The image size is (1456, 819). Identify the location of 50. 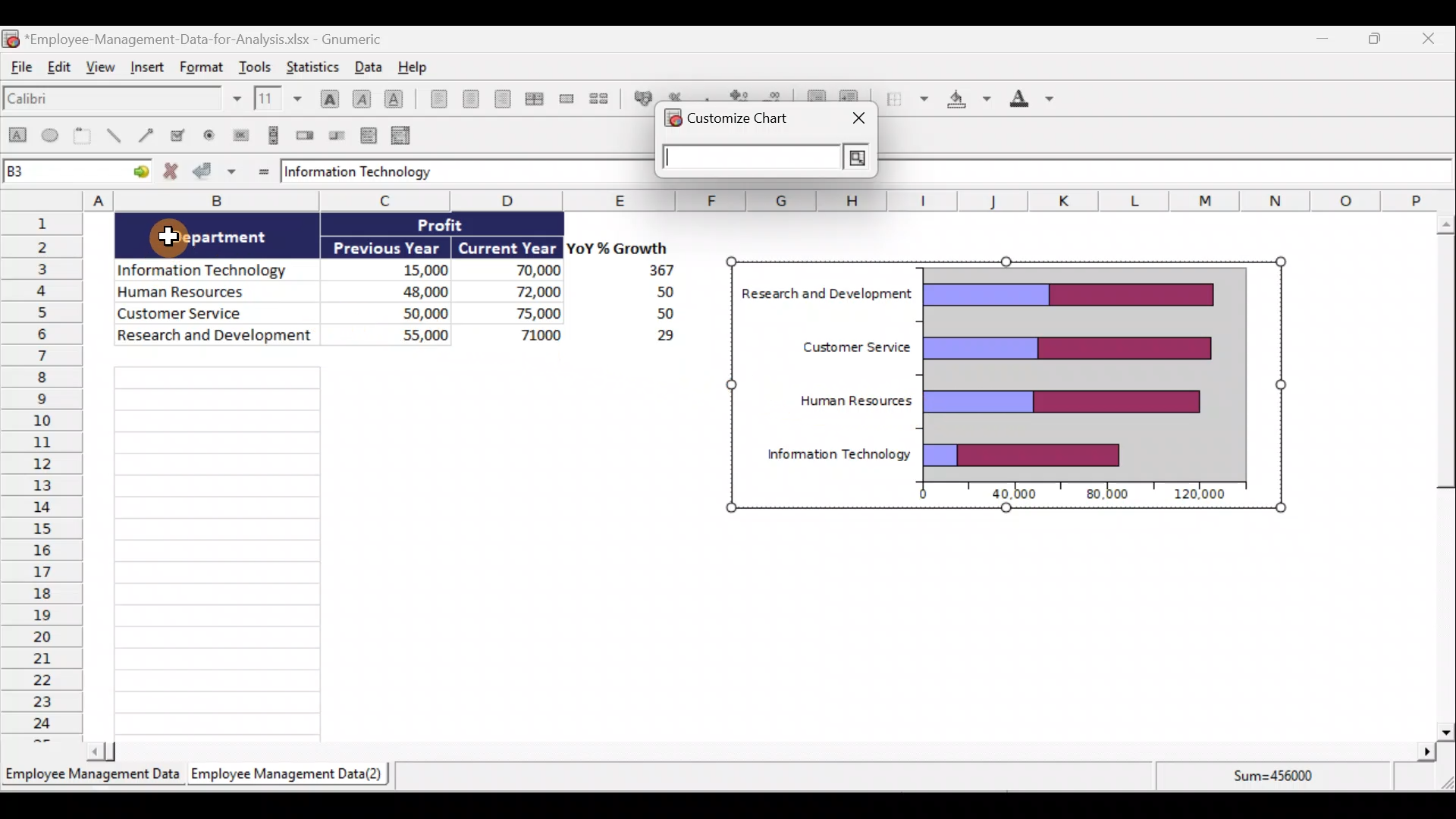
(645, 293).